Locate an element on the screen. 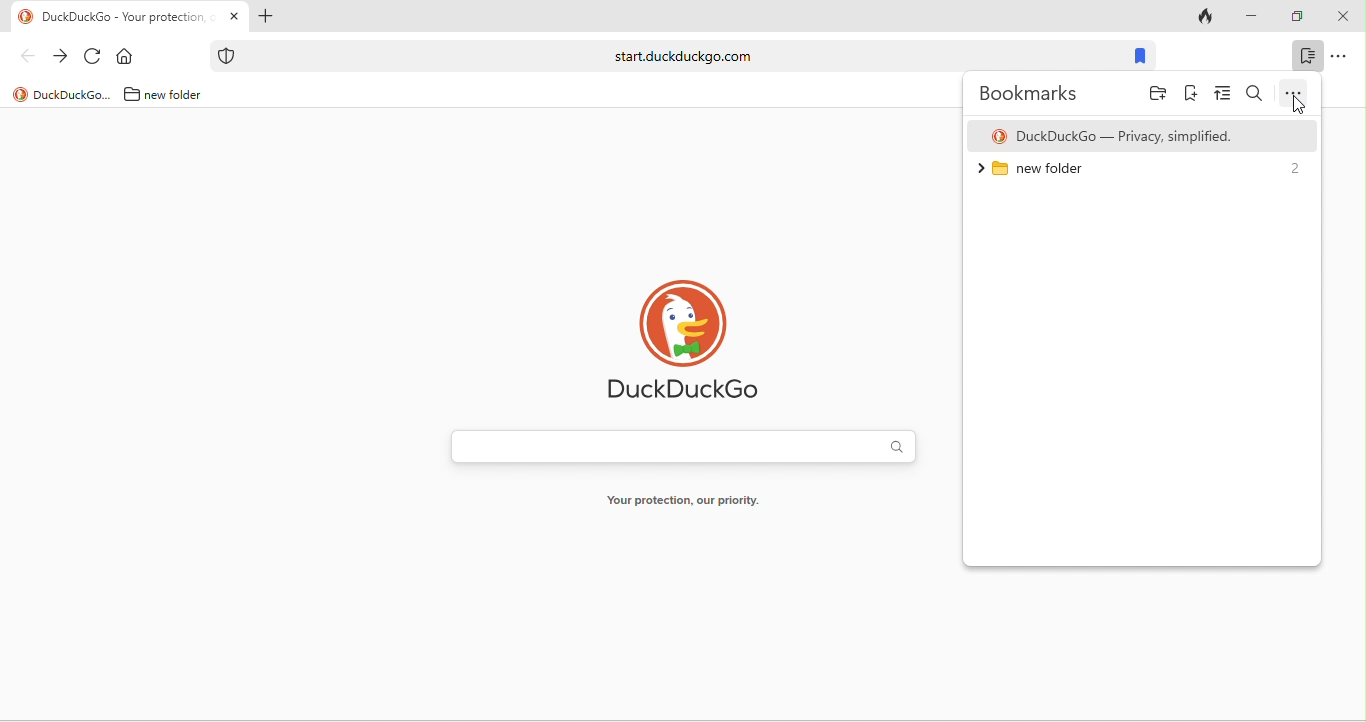  add tab is located at coordinates (264, 18).